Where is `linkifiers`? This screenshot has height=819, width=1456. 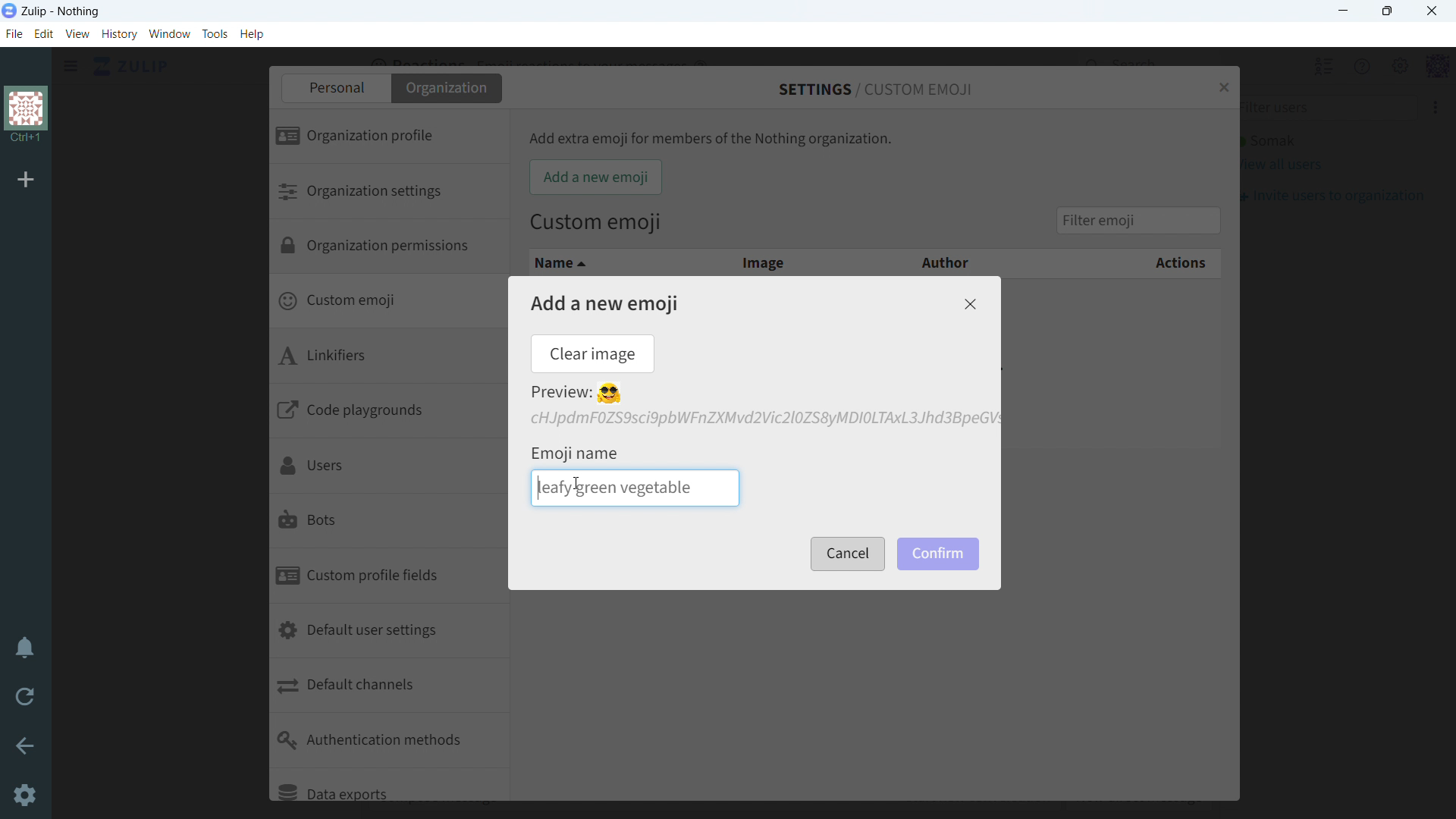
linkifiers is located at coordinates (387, 359).